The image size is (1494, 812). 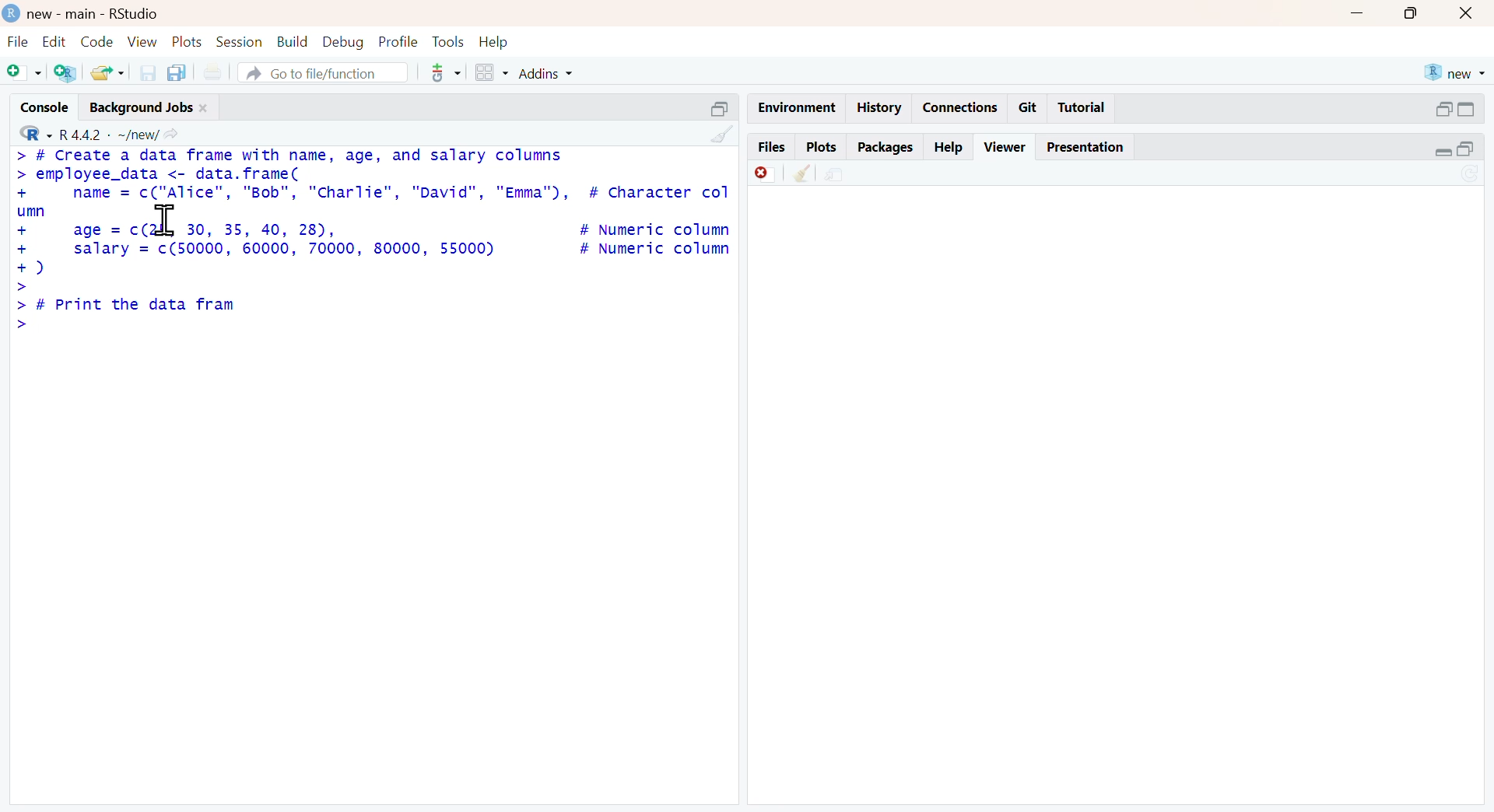 I want to click on File, so click(x=16, y=41).